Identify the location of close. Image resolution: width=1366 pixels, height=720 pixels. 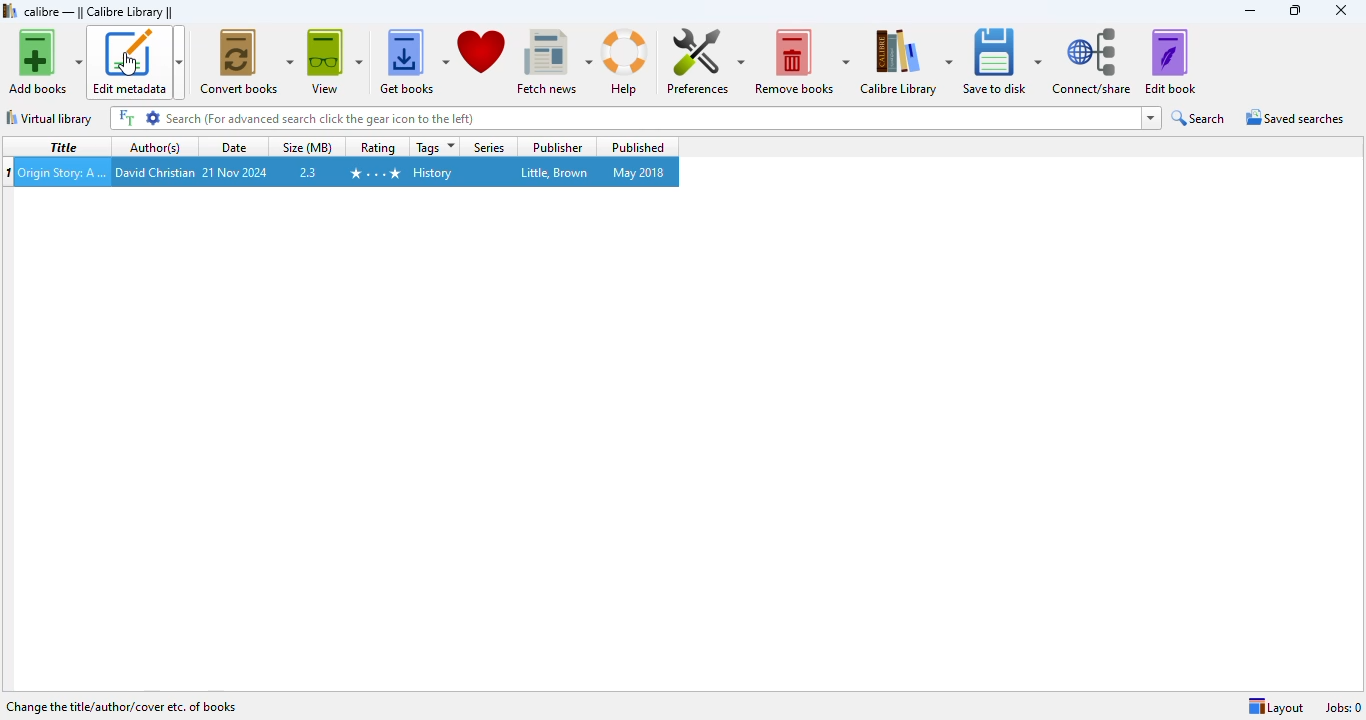
(1341, 9).